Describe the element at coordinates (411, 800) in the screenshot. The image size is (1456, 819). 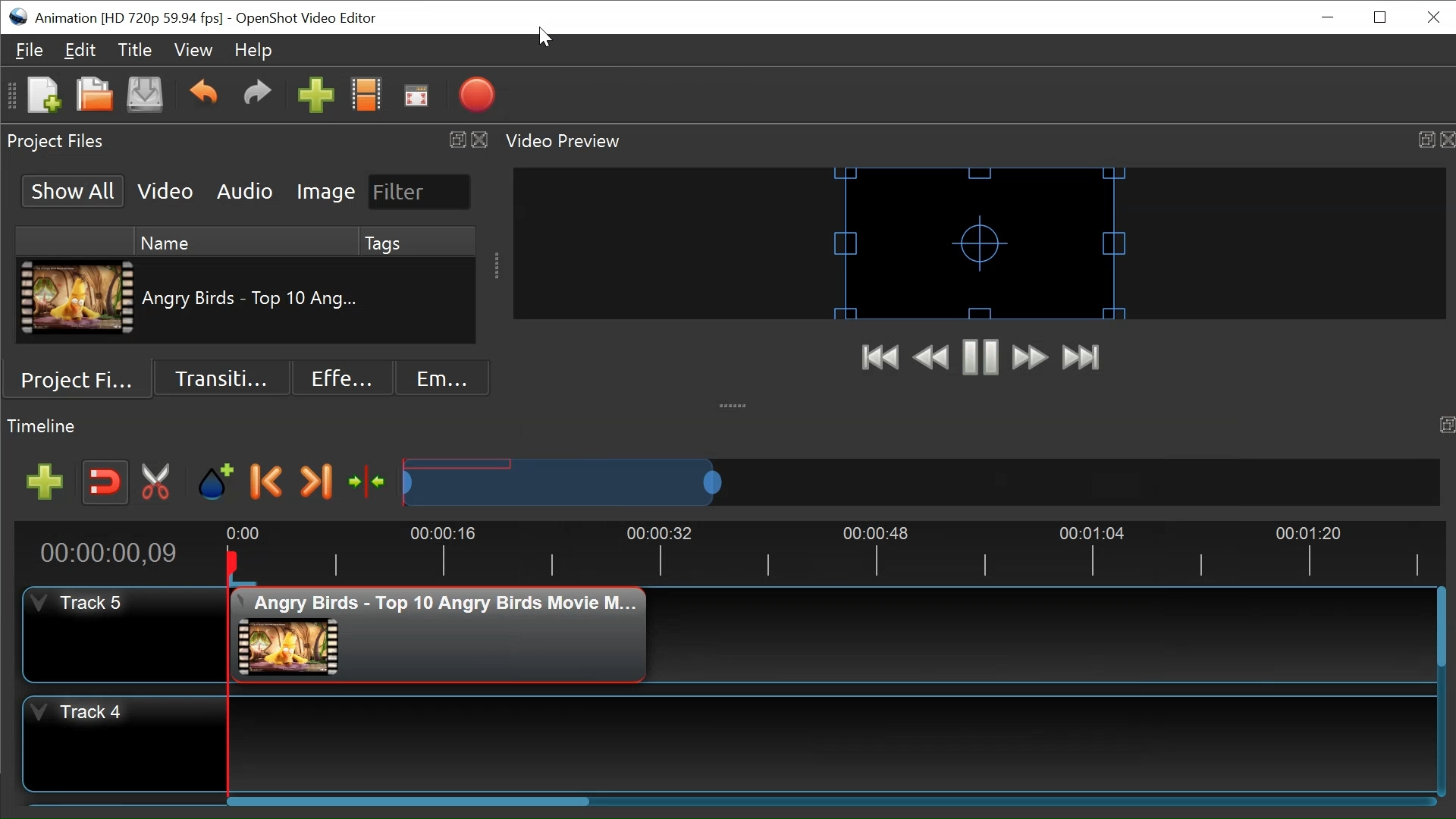
I see `Vertical Scroll bar` at that location.